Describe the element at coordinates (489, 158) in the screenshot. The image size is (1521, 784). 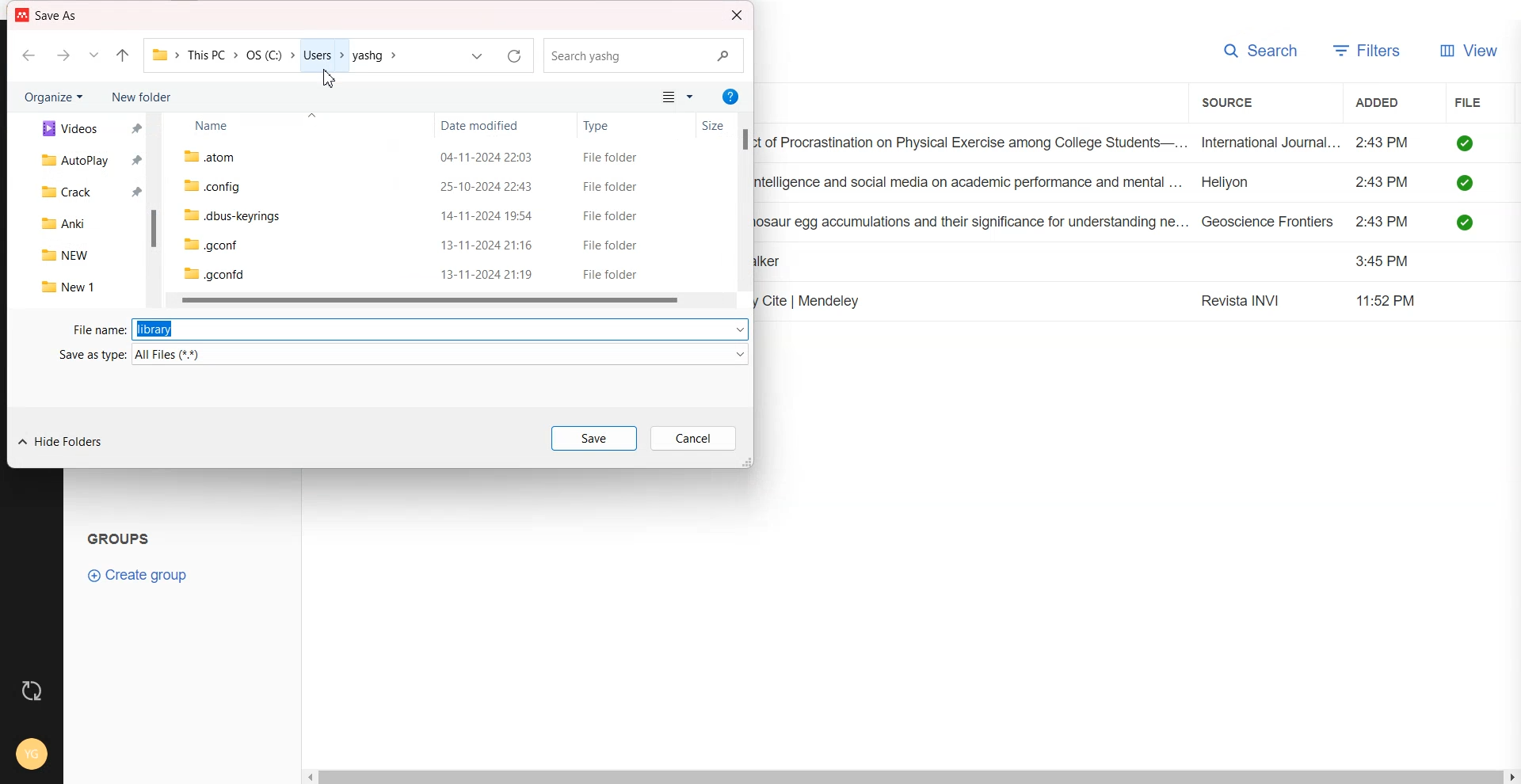
I see `04-11-2024 22:03` at that location.